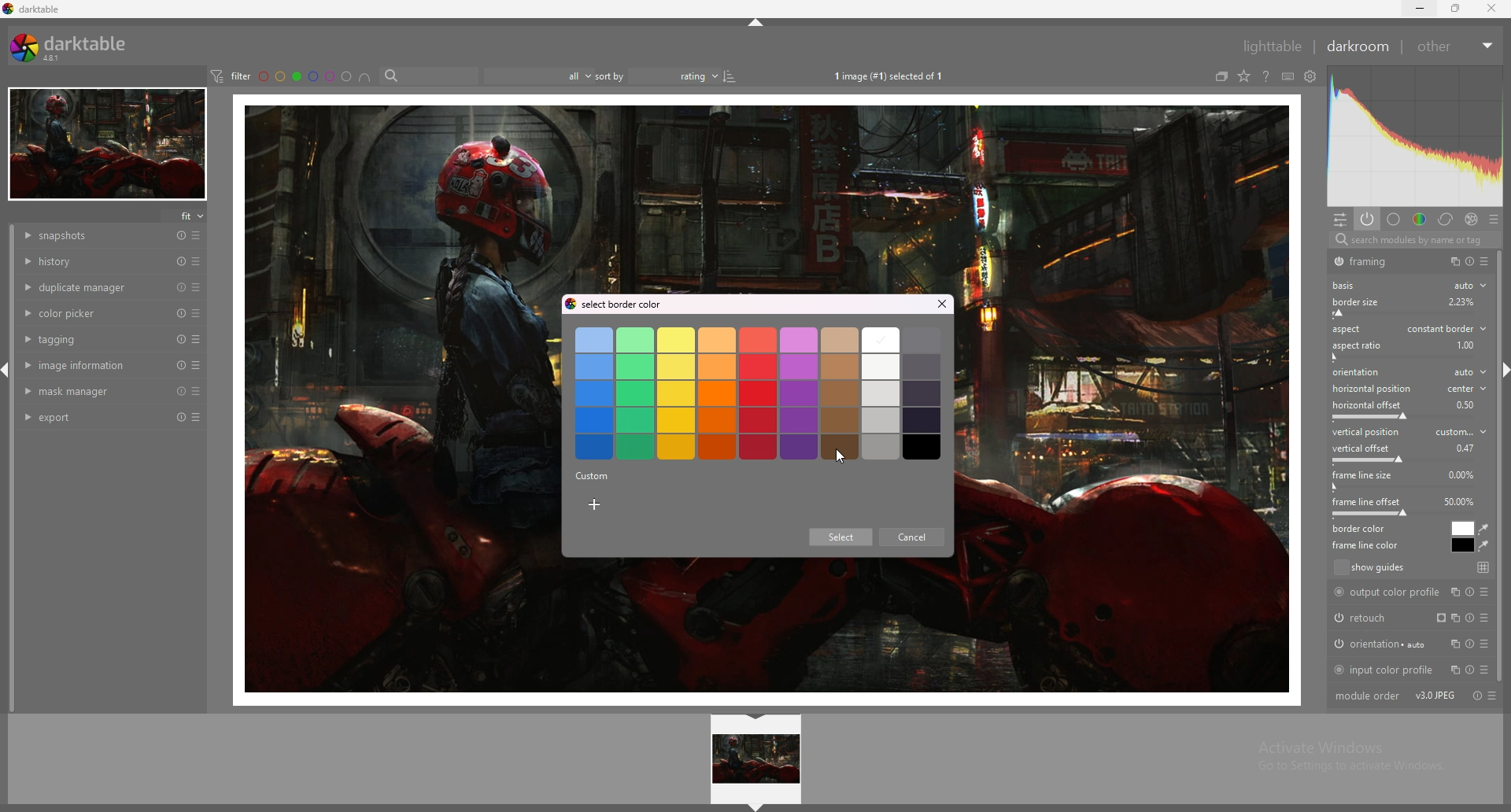  Describe the element at coordinates (427, 75) in the screenshot. I see `search bar` at that location.